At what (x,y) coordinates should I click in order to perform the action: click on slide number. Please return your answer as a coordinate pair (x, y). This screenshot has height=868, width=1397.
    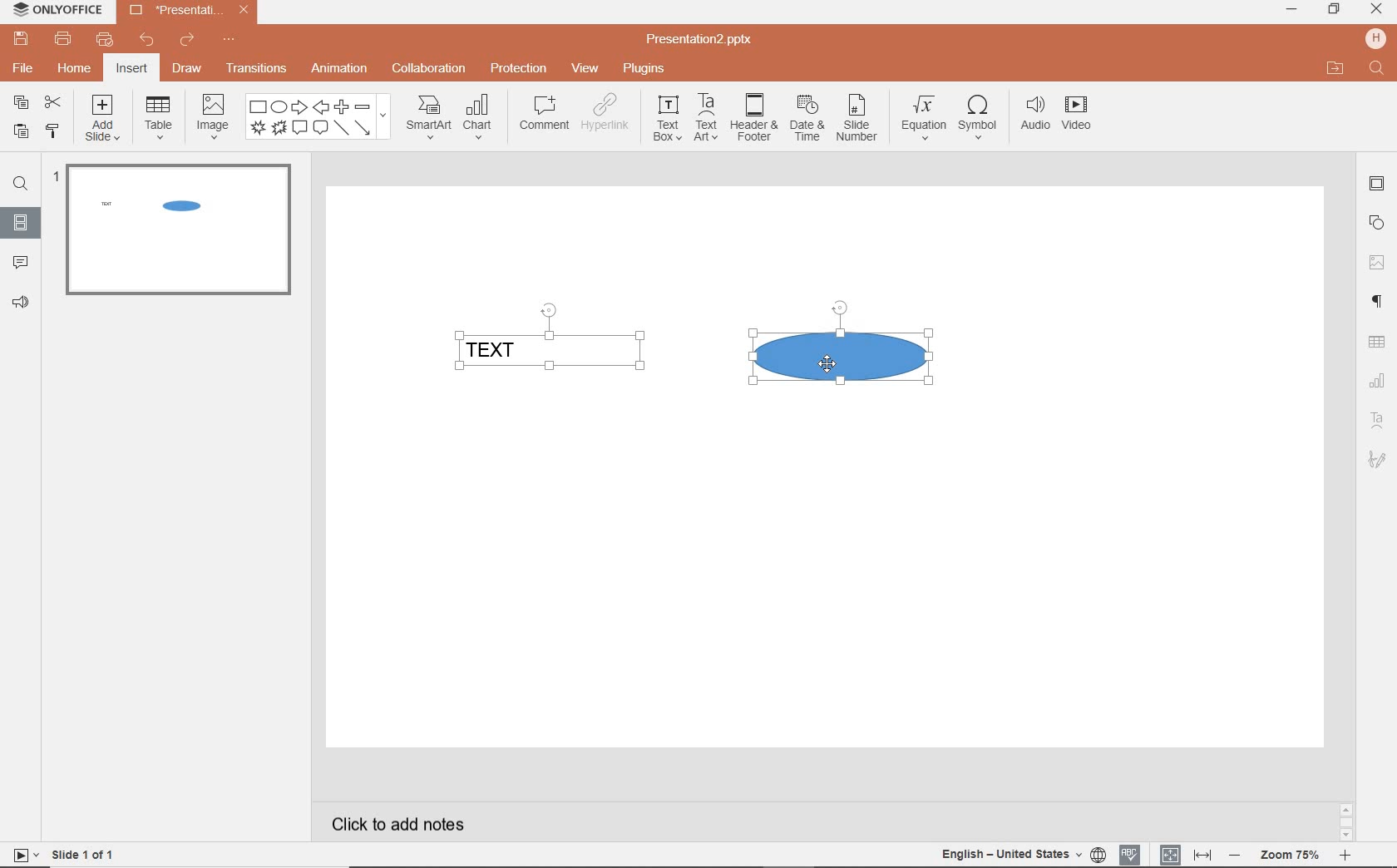
    Looking at the image, I should click on (856, 121).